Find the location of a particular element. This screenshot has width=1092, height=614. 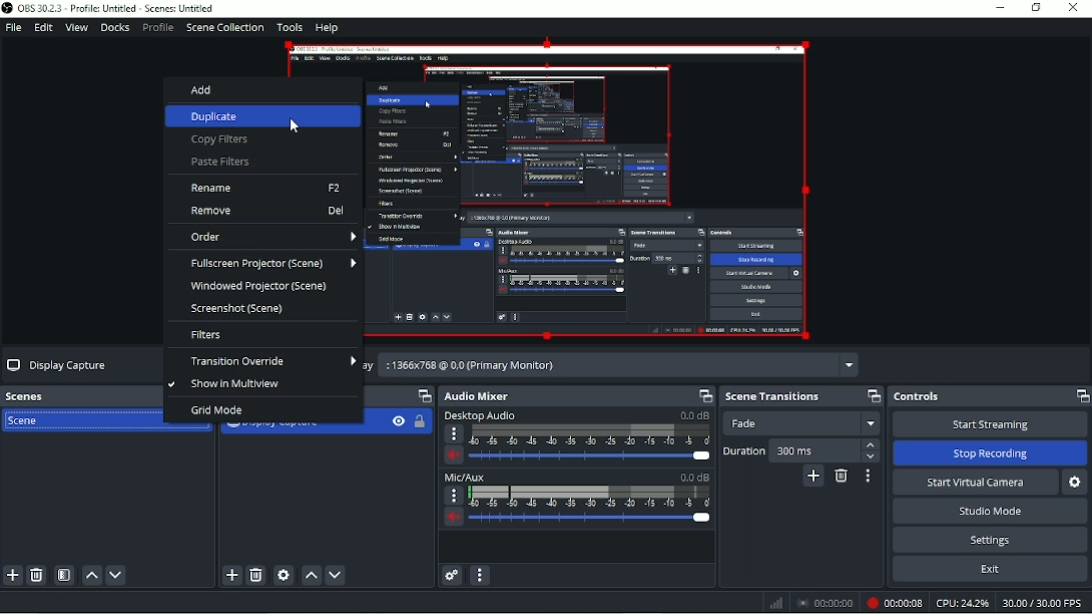

Fullscreen Projector (Scene) is located at coordinates (272, 263).